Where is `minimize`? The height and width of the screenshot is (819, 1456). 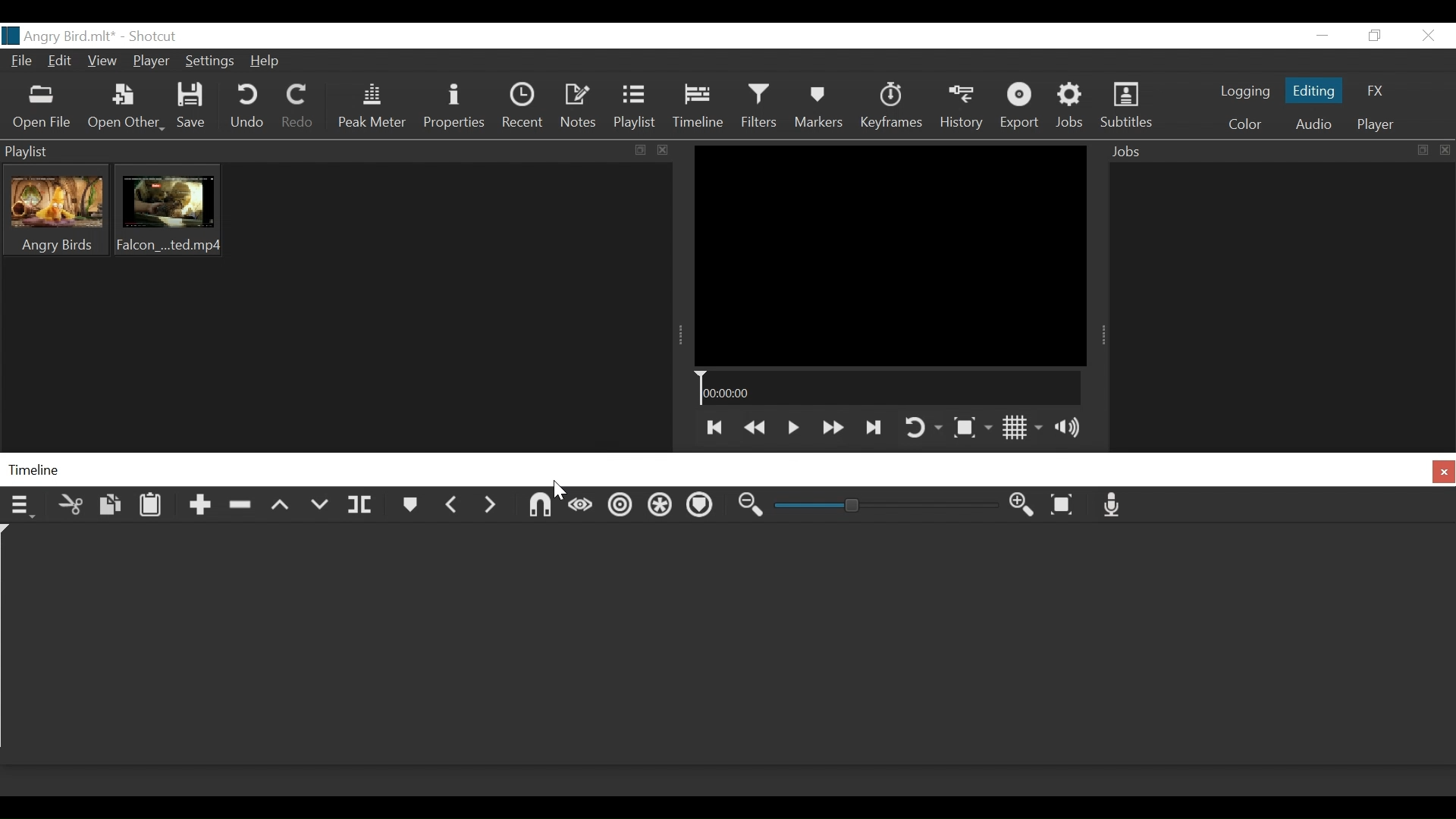
minimize is located at coordinates (1323, 36).